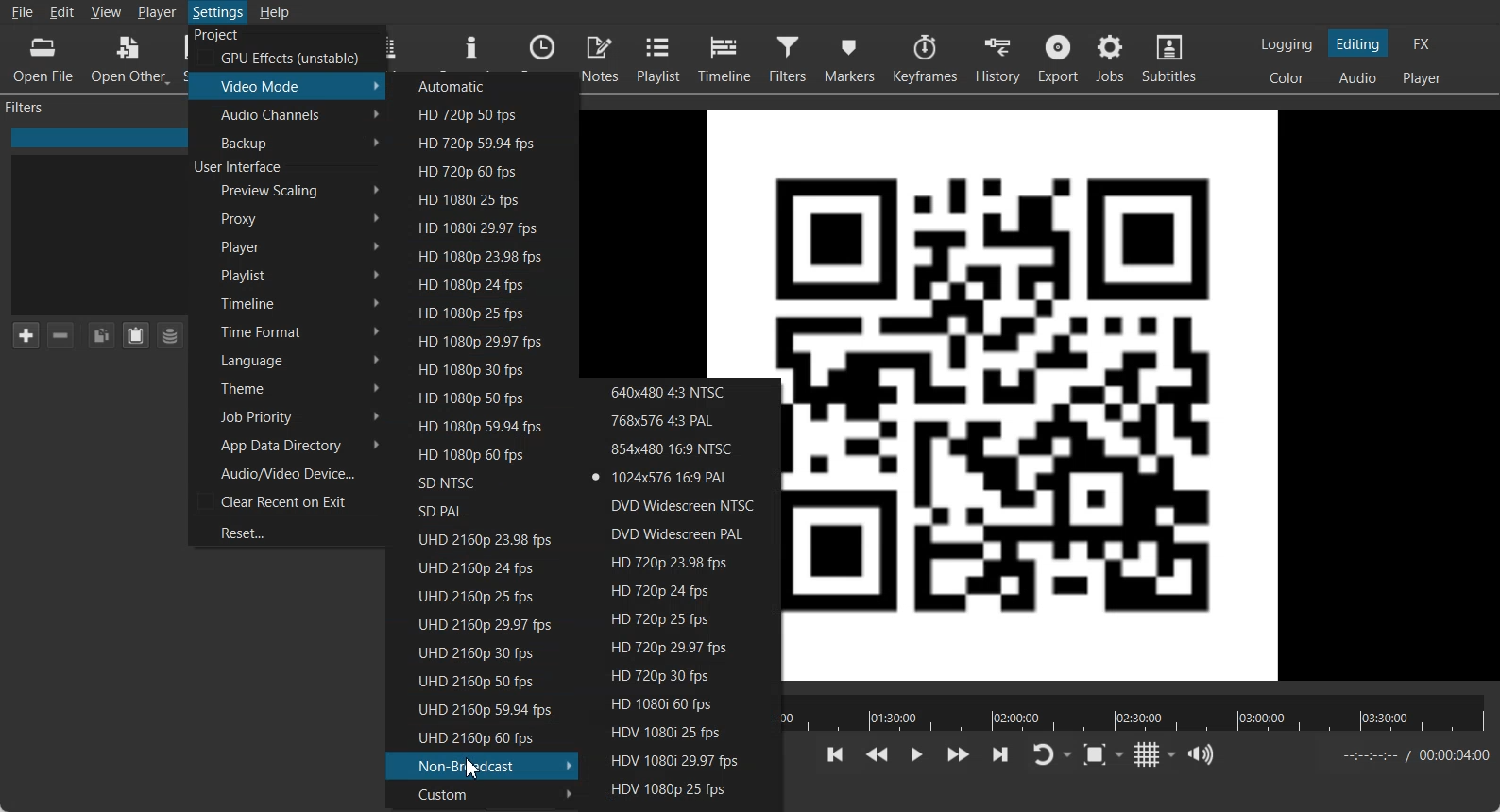 The height and width of the screenshot is (812, 1500). I want to click on HD 1080p 59.94 fps, so click(473, 425).